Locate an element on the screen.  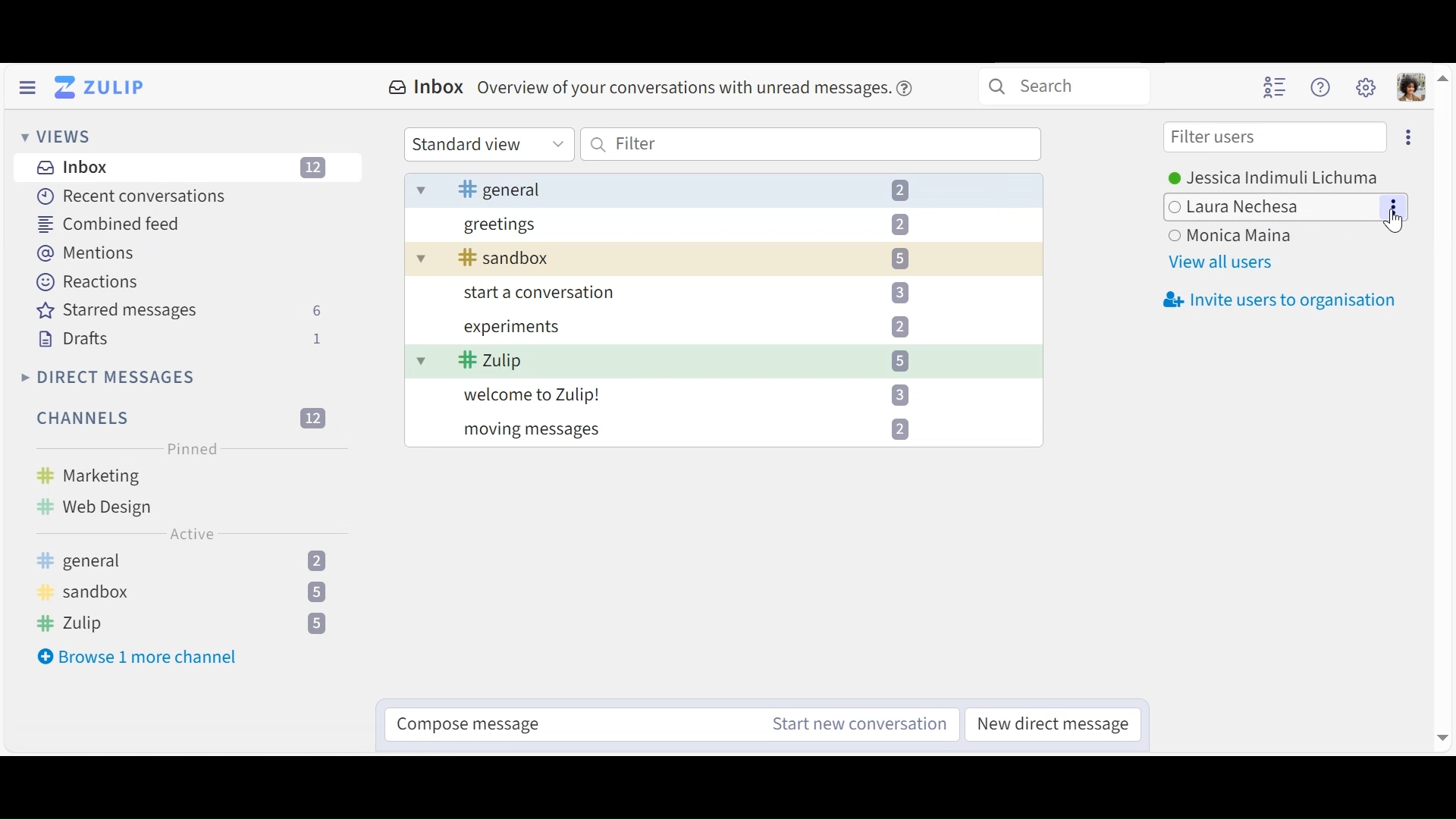
Views is located at coordinates (58, 138).